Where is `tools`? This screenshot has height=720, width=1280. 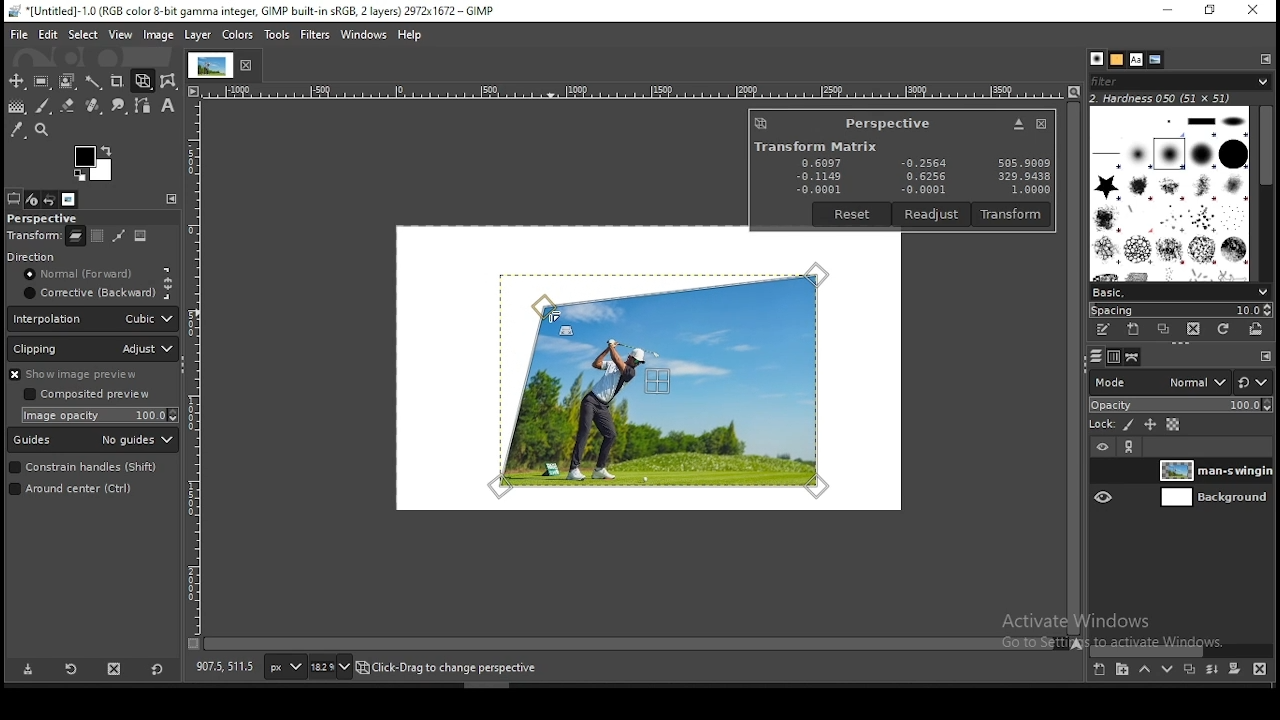 tools is located at coordinates (277, 32).